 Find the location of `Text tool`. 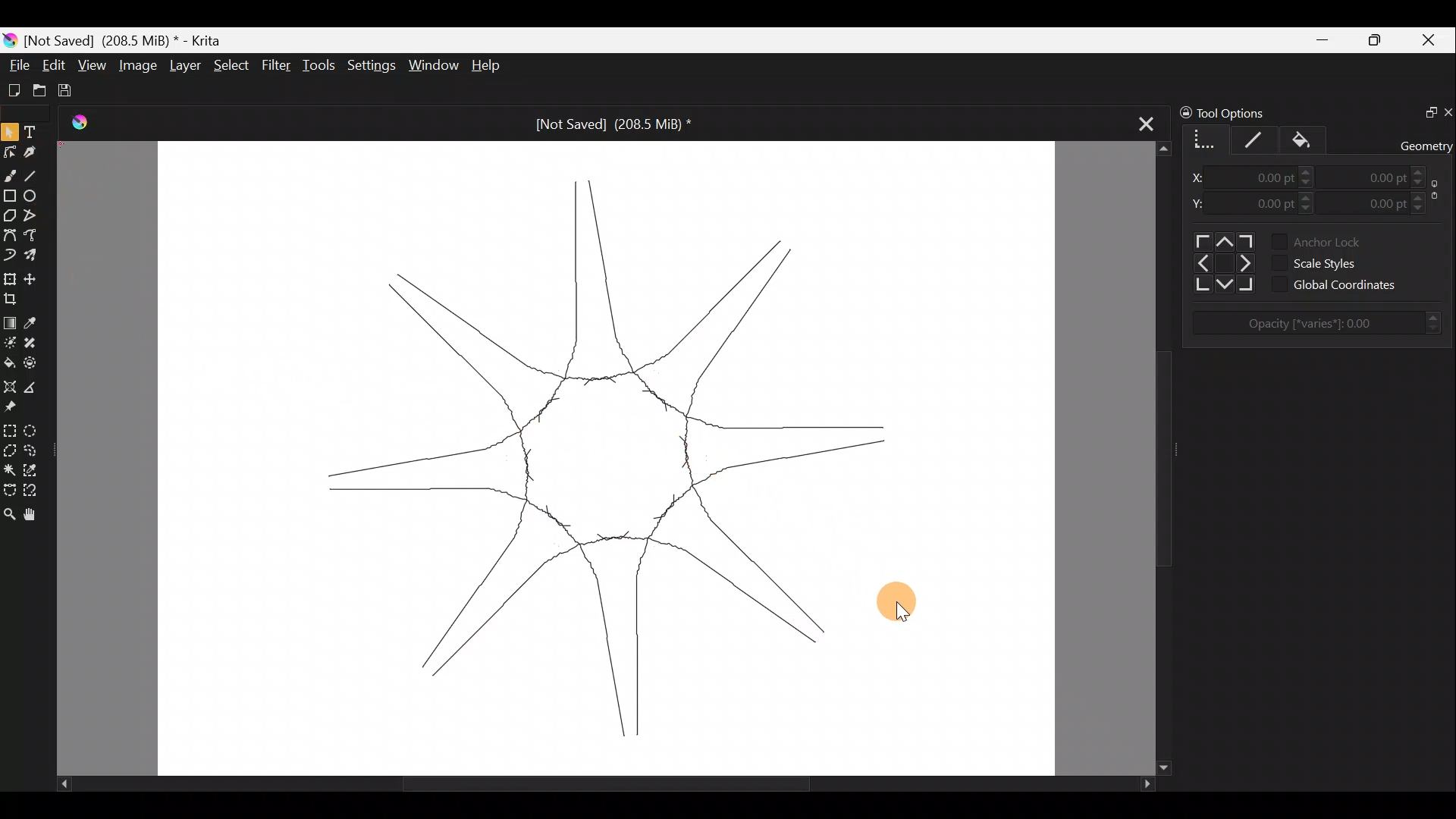

Text tool is located at coordinates (36, 126).